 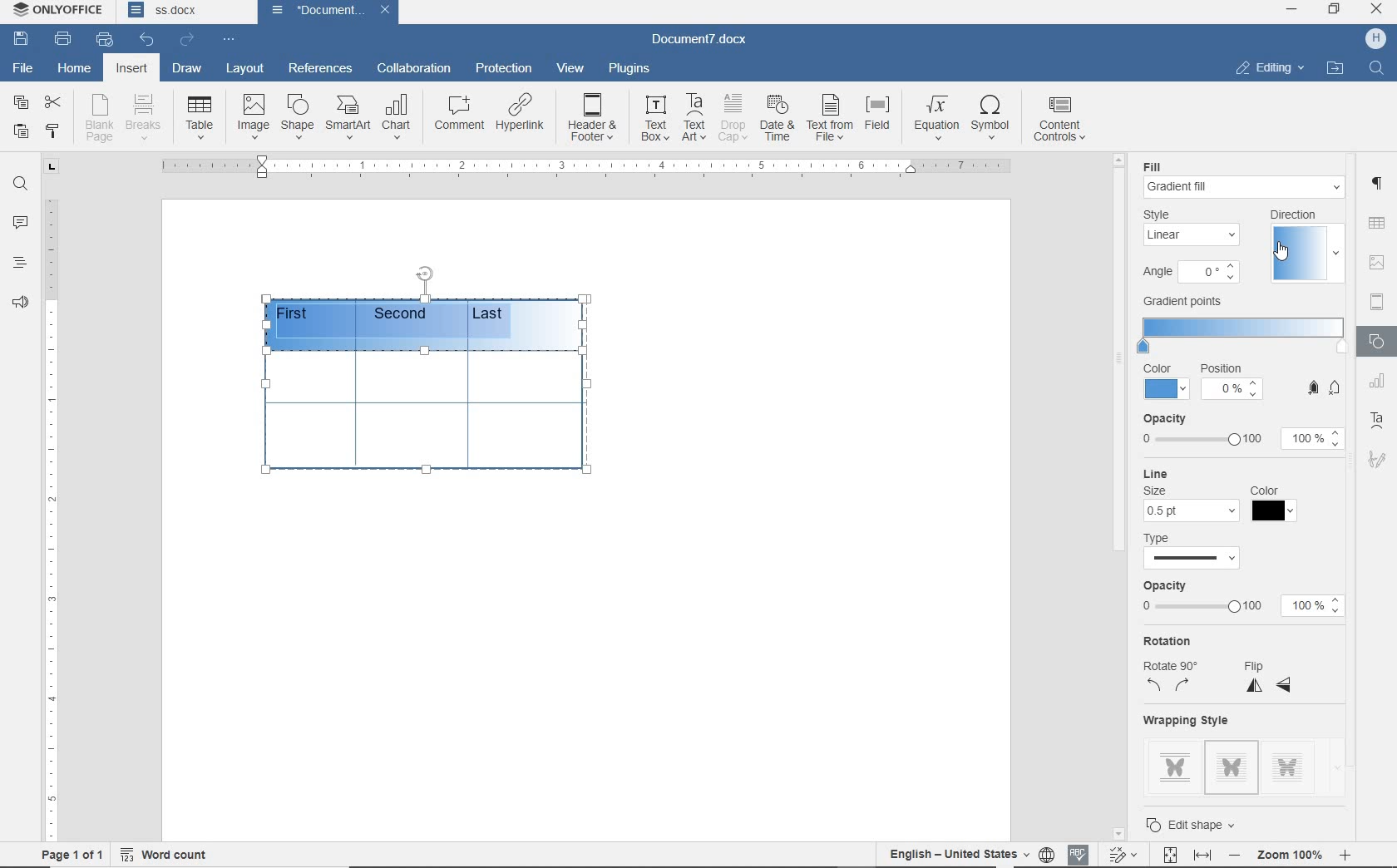 What do you see at coordinates (53, 104) in the screenshot?
I see `cut` at bounding box center [53, 104].